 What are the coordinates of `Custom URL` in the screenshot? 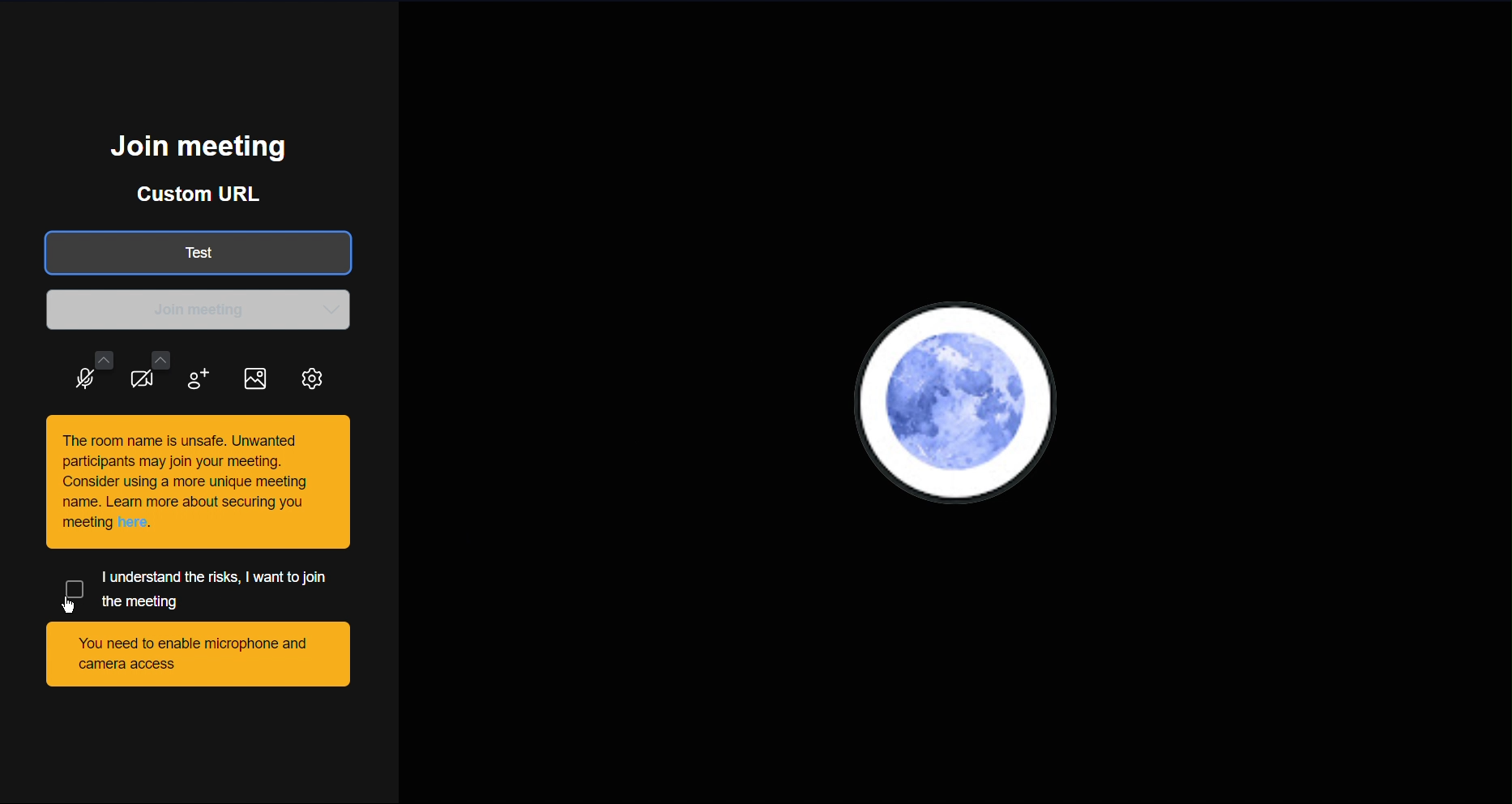 It's located at (201, 194).